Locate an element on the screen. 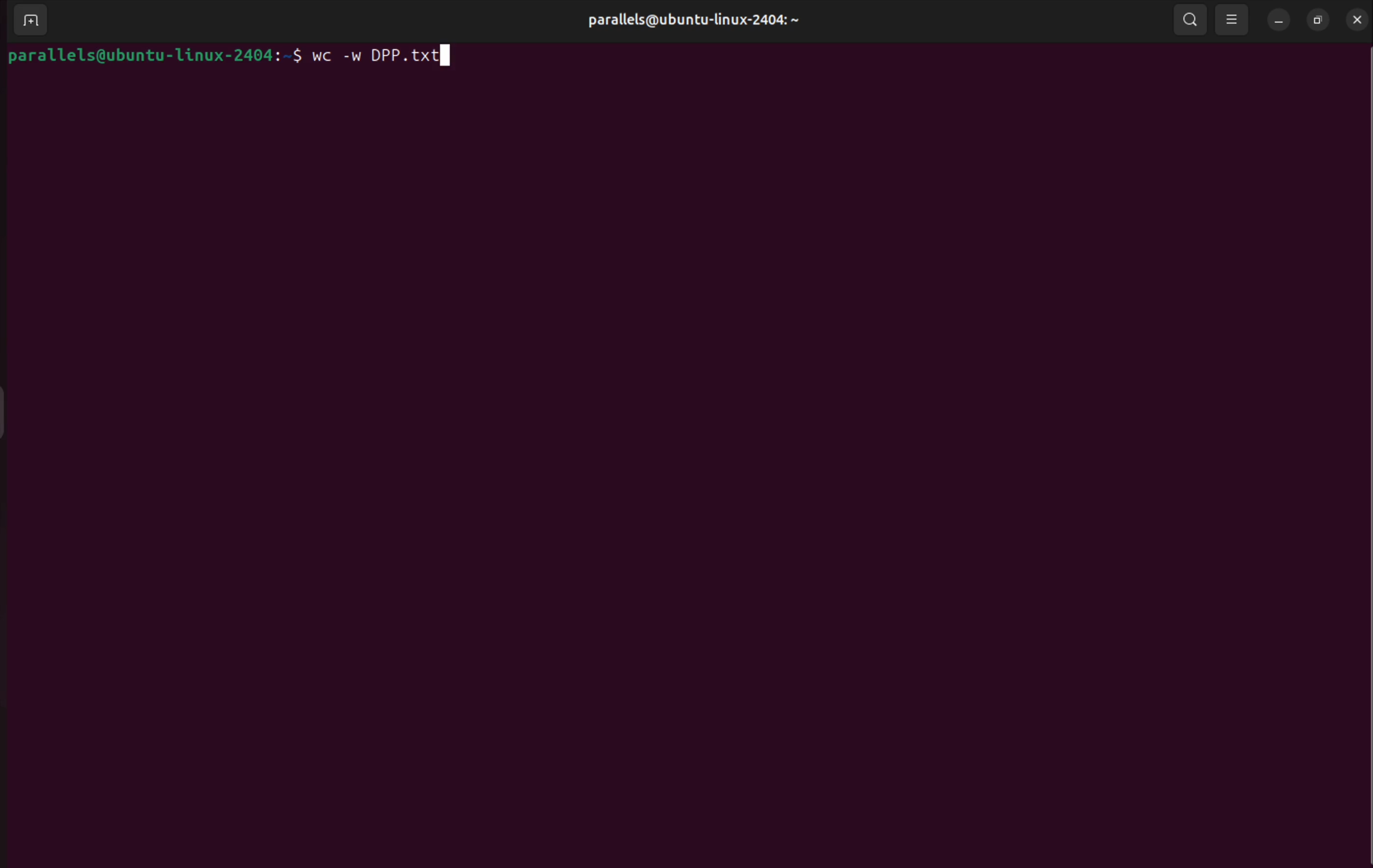  parallels@ubuntu-linux-2404:~$ is located at coordinates (156, 56).